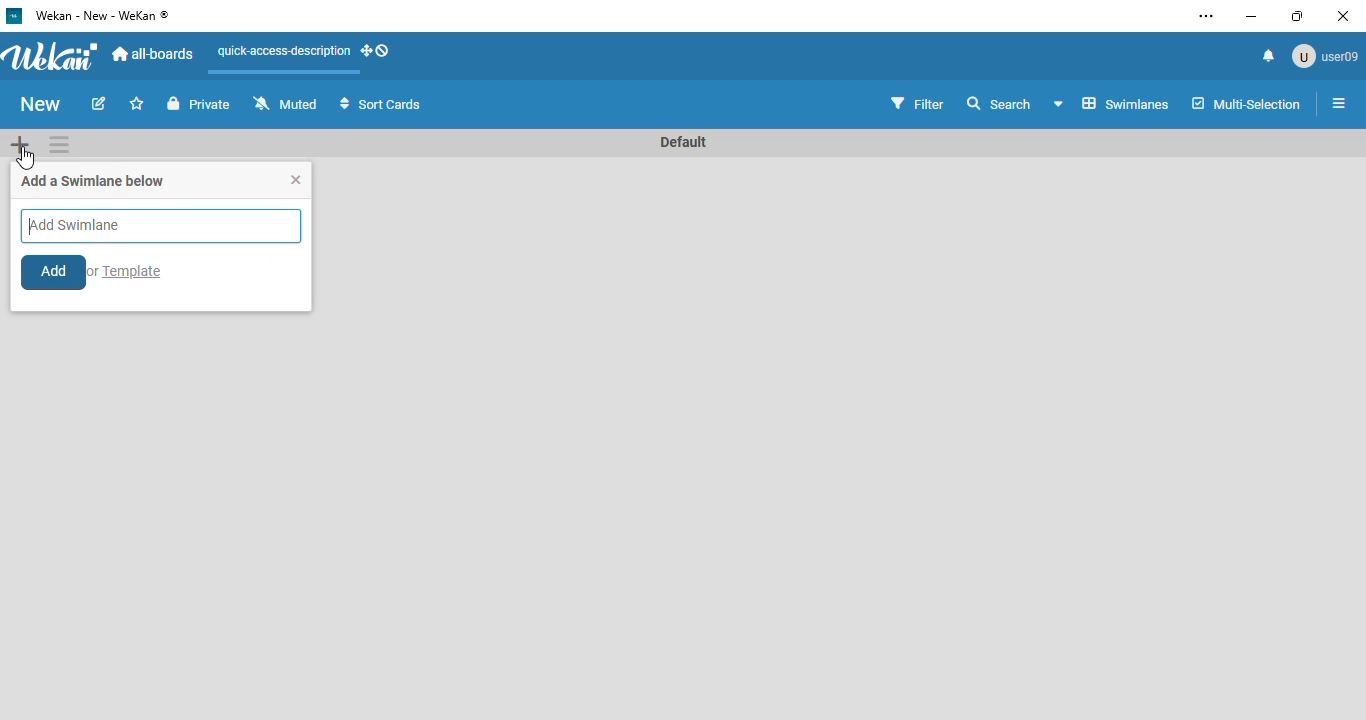 This screenshot has width=1366, height=720. Describe the element at coordinates (25, 159) in the screenshot. I see `cursor` at that location.